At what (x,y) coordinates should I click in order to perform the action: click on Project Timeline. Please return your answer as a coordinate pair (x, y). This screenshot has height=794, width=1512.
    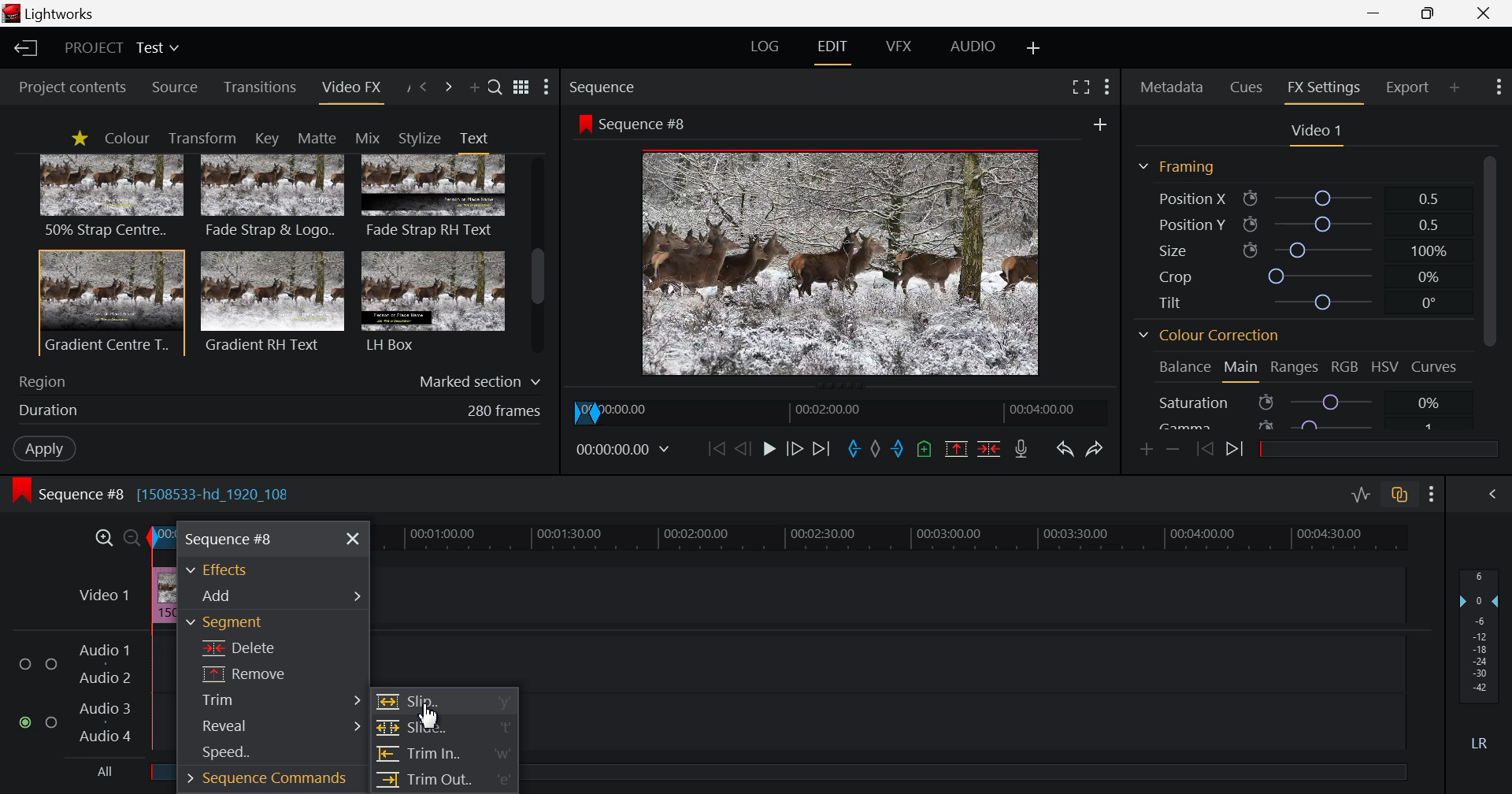
    Looking at the image, I should click on (885, 538).